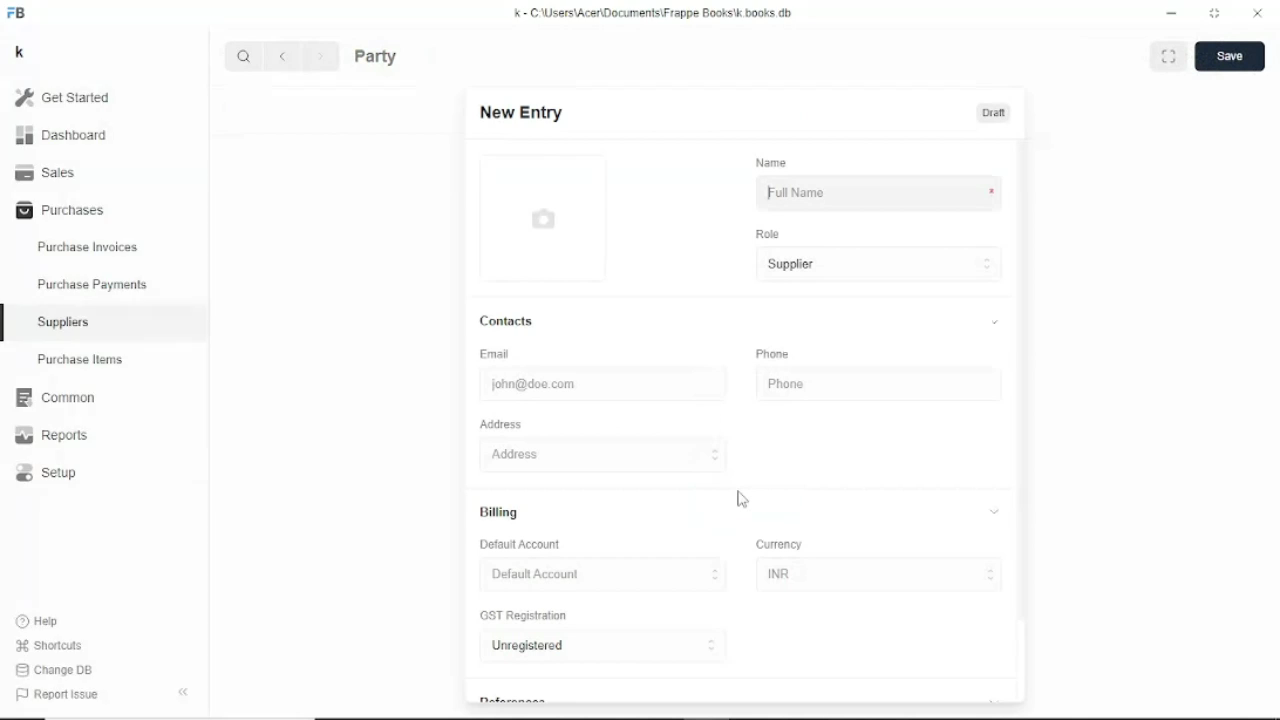  Describe the element at coordinates (48, 646) in the screenshot. I see `Shortcuts` at that location.